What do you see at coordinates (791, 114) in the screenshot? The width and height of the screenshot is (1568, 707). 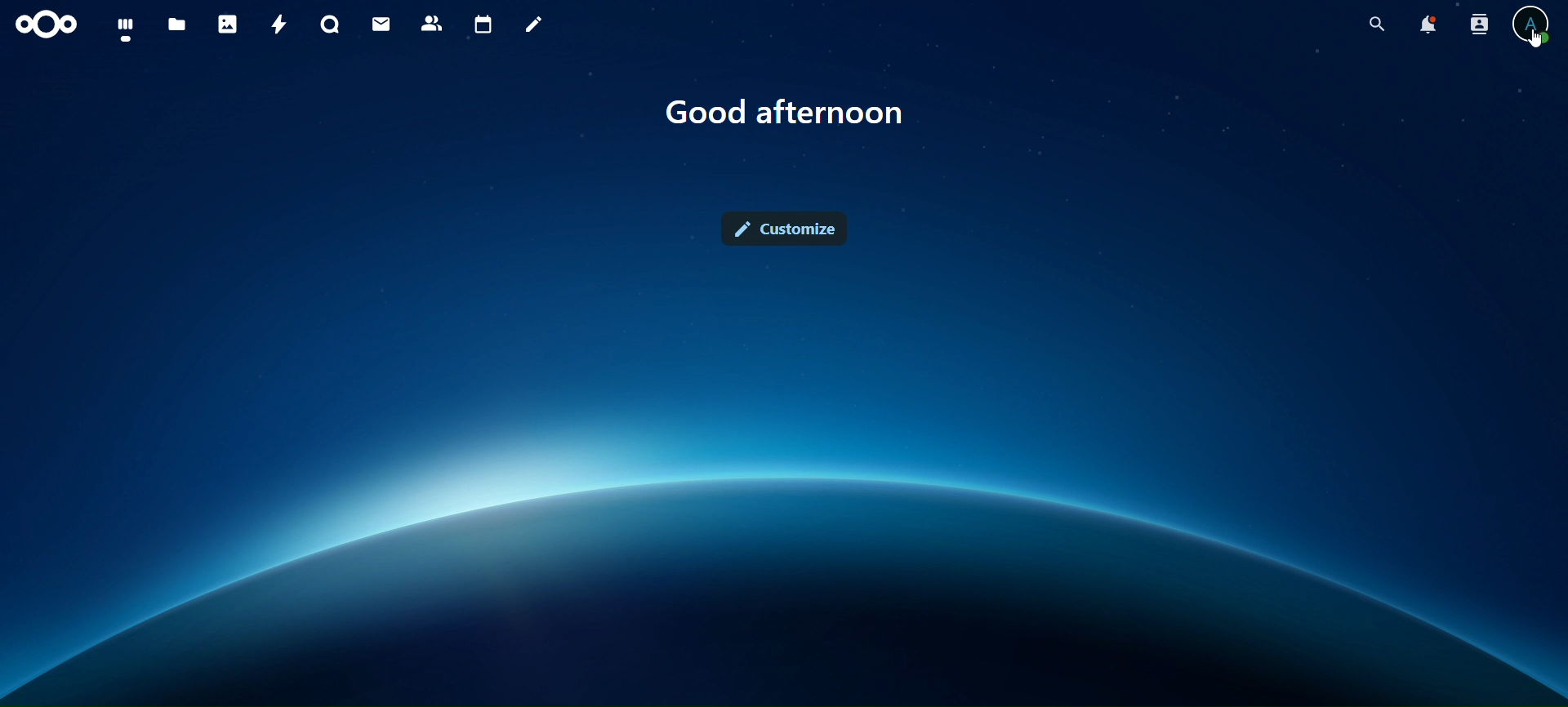 I see `text` at bounding box center [791, 114].